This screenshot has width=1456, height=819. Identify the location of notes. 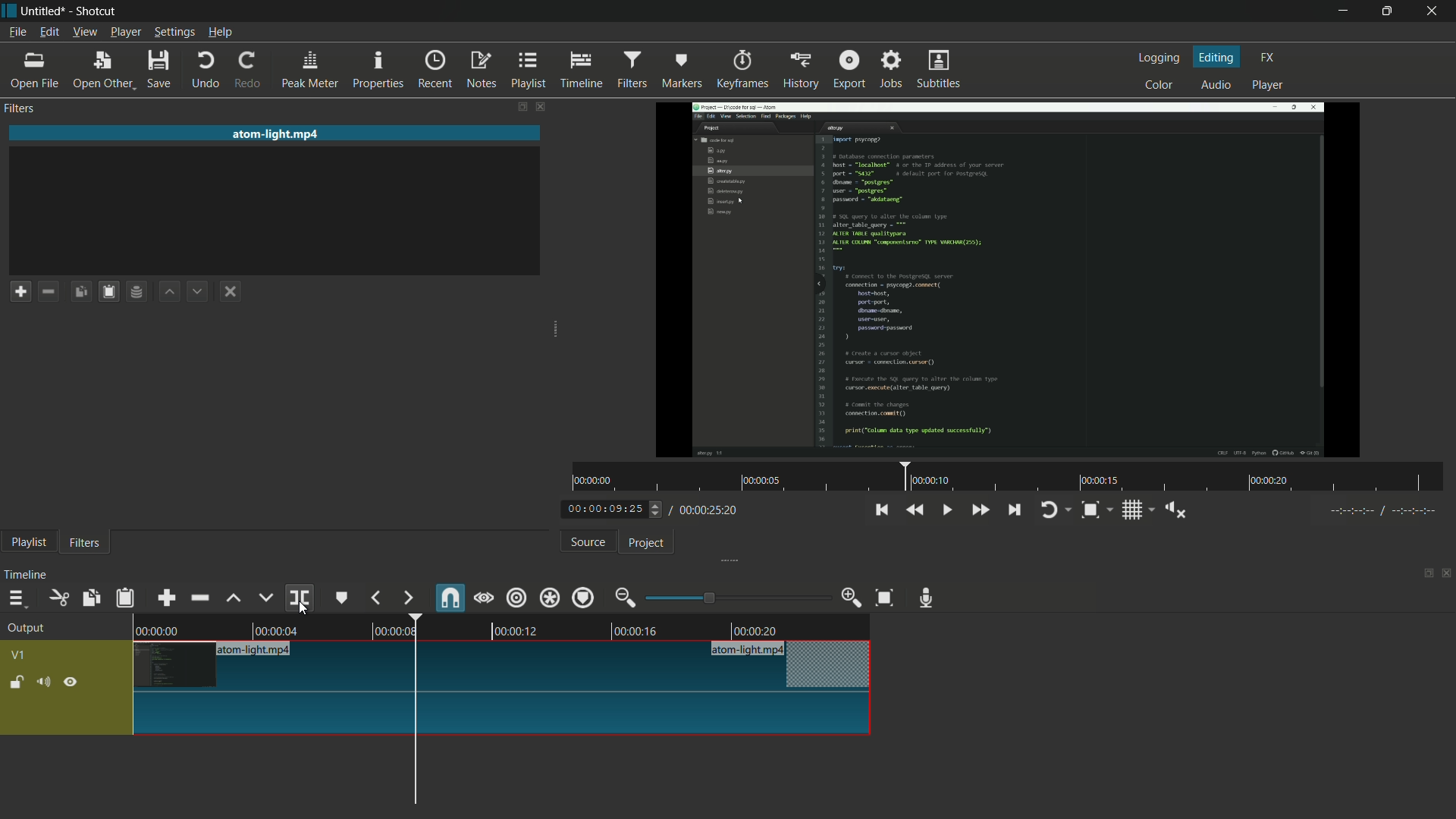
(481, 71).